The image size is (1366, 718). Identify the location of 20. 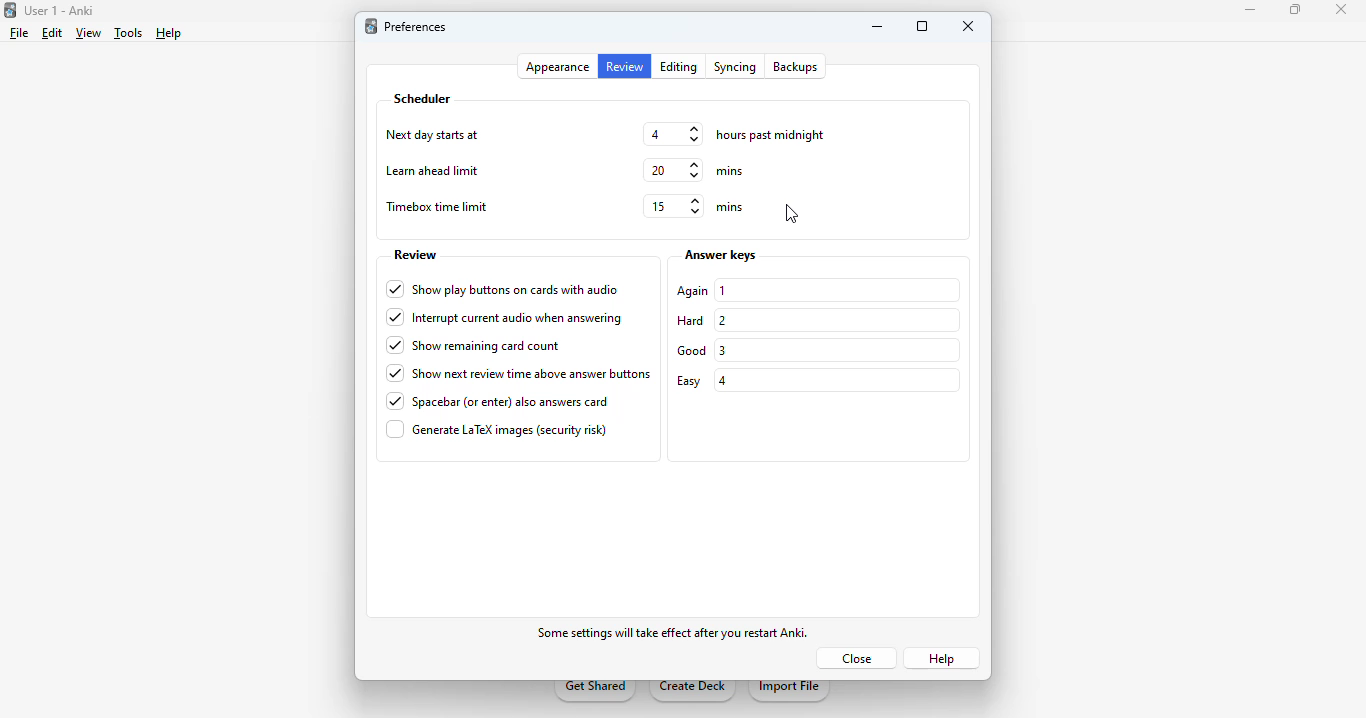
(675, 170).